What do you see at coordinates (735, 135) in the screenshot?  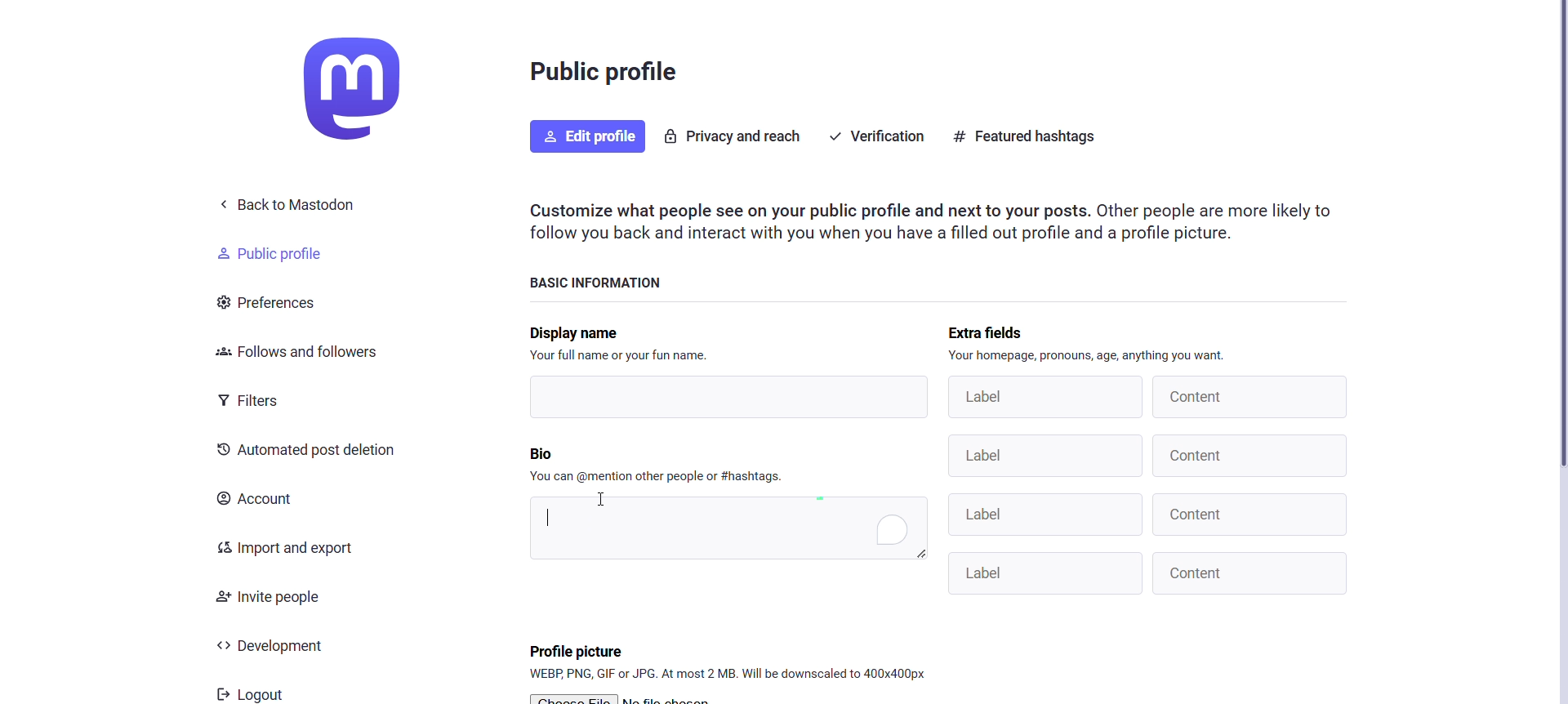 I see `Privacy and Reach` at bounding box center [735, 135].